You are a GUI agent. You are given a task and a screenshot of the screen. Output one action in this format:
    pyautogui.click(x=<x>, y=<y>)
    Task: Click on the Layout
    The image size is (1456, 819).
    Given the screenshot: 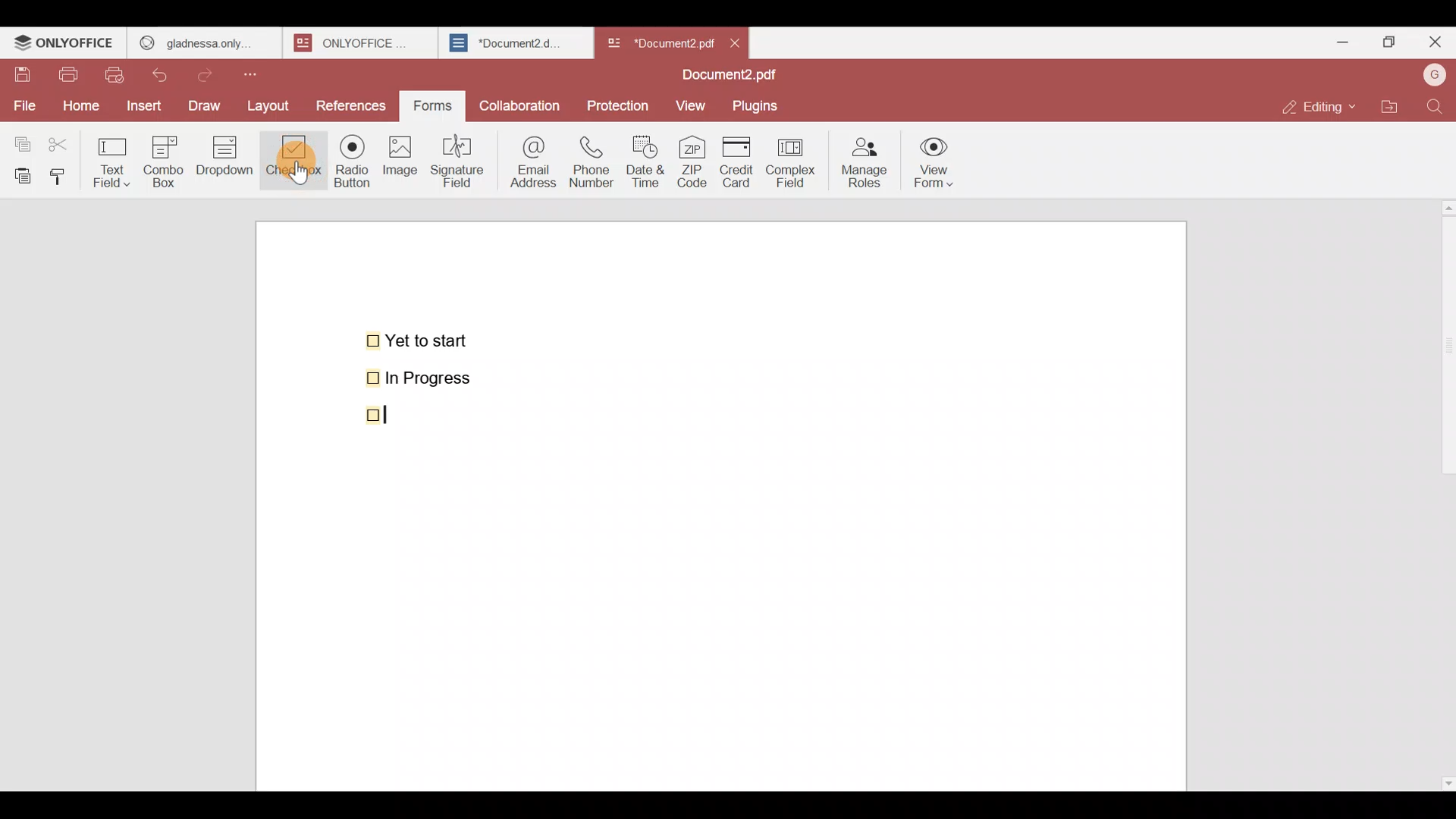 What is the action you would take?
    pyautogui.click(x=275, y=104)
    